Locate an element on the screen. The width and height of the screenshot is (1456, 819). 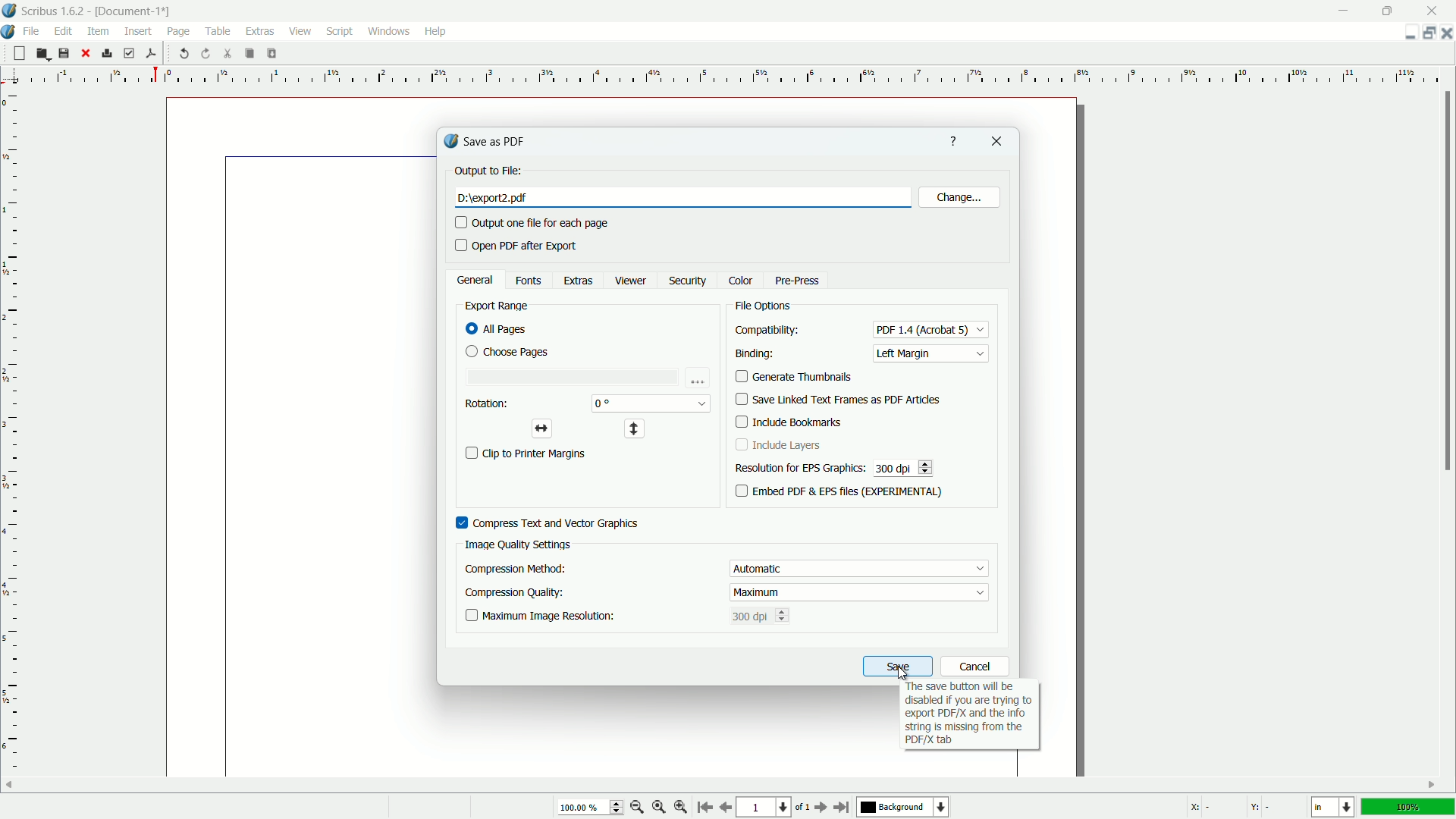
maximize is located at coordinates (1385, 11).